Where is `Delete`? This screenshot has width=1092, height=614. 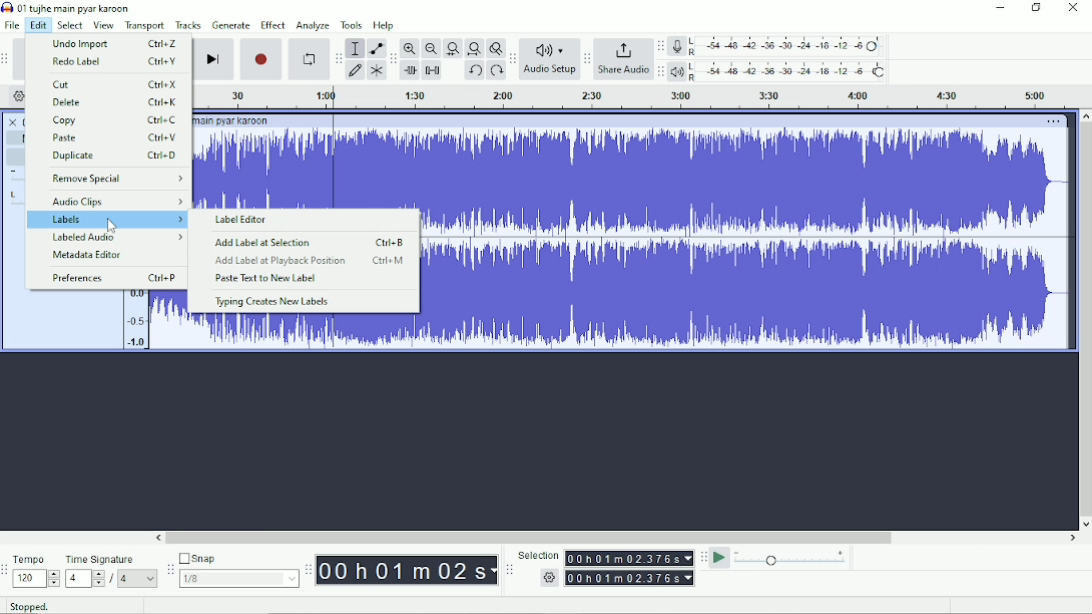
Delete is located at coordinates (116, 102).